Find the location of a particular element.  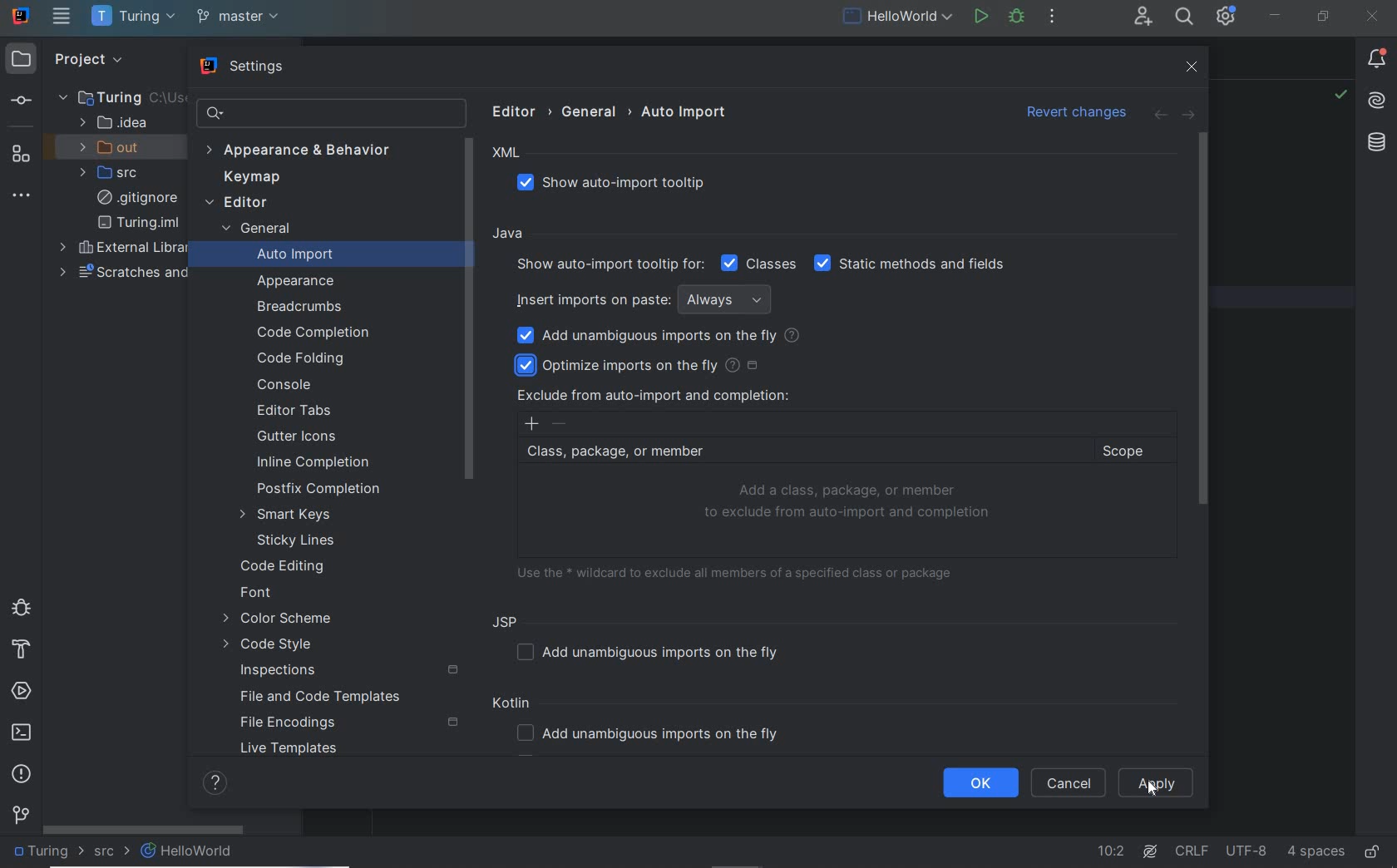

RUN/DEBUG CONFICURATIONS is located at coordinates (898, 16).